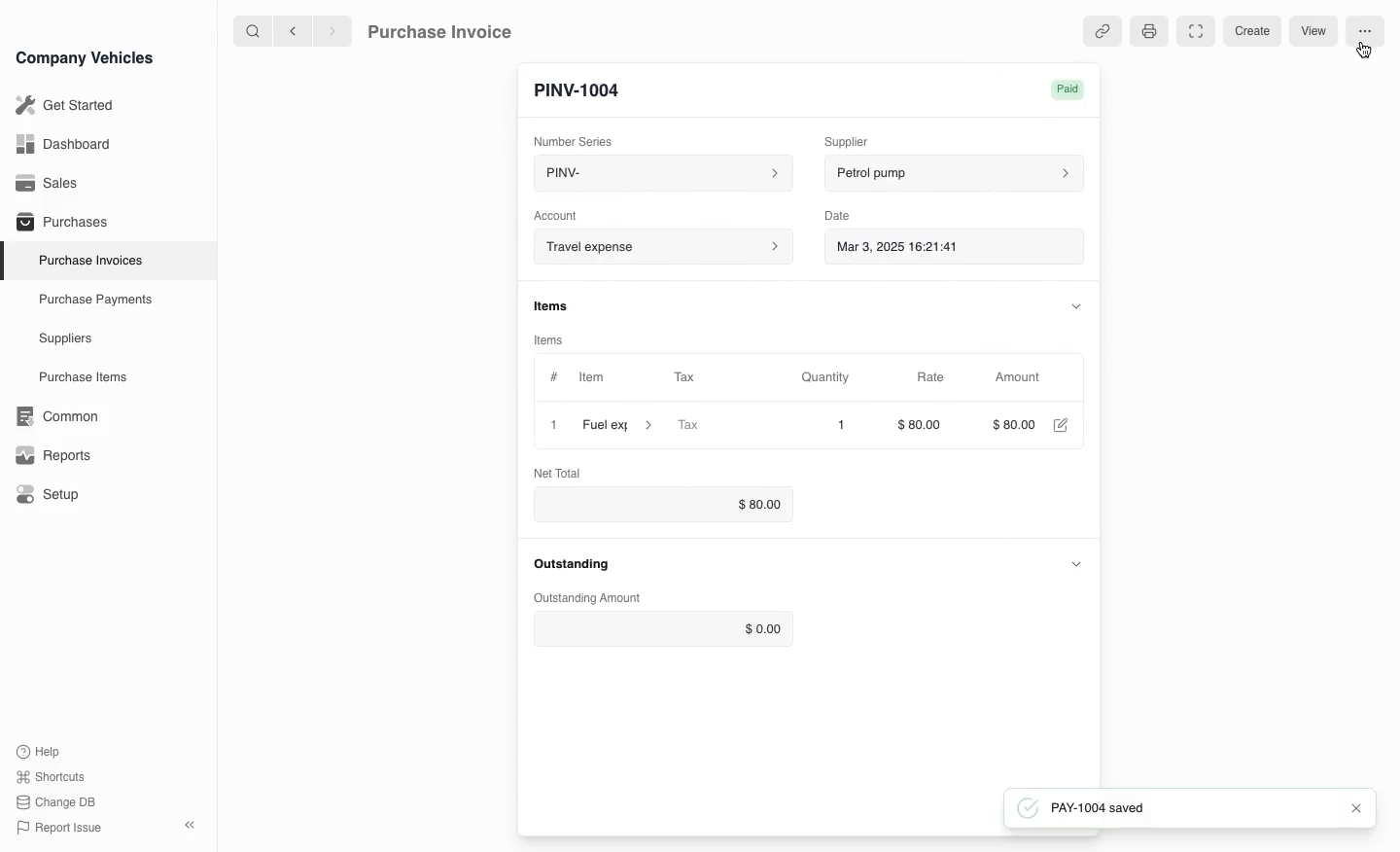 This screenshot has width=1400, height=852. I want to click on Dashboard, so click(62, 144).